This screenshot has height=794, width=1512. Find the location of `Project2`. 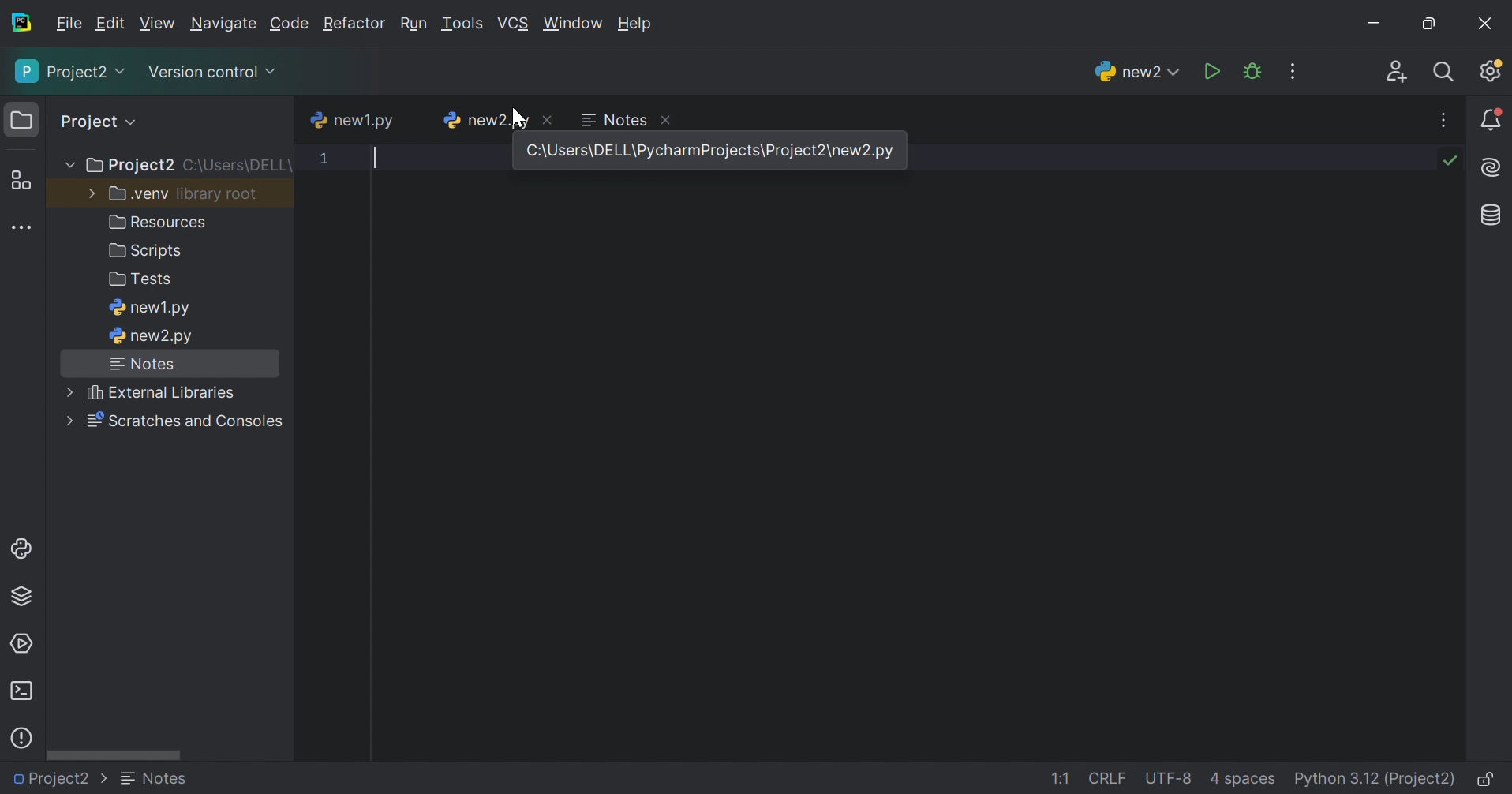

Project2 is located at coordinates (70, 72).